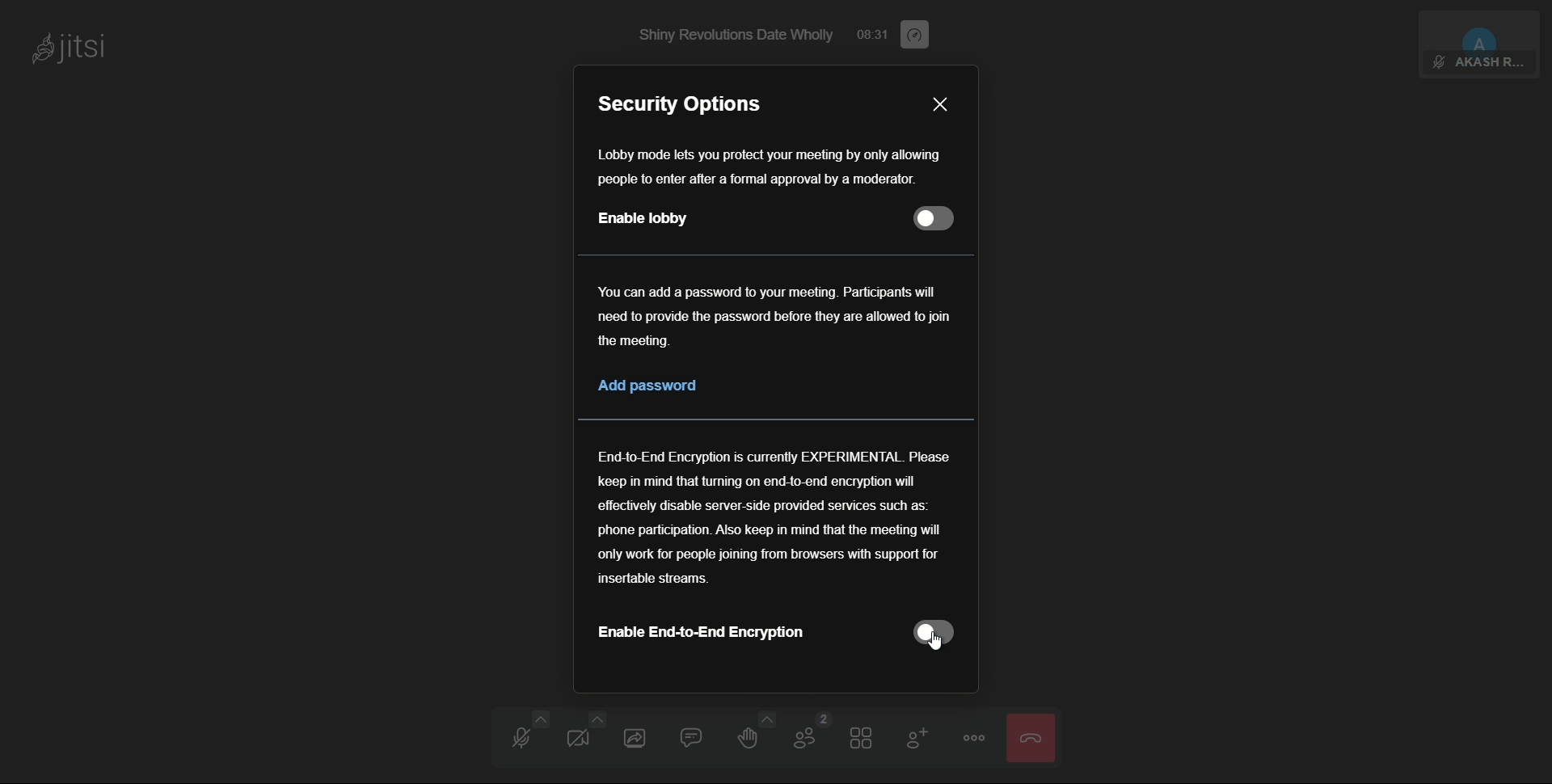 This screenshot has height=784, width=1552. Describe the element at coordinates (940, 103) in the screenshot. I see `close` at that location.